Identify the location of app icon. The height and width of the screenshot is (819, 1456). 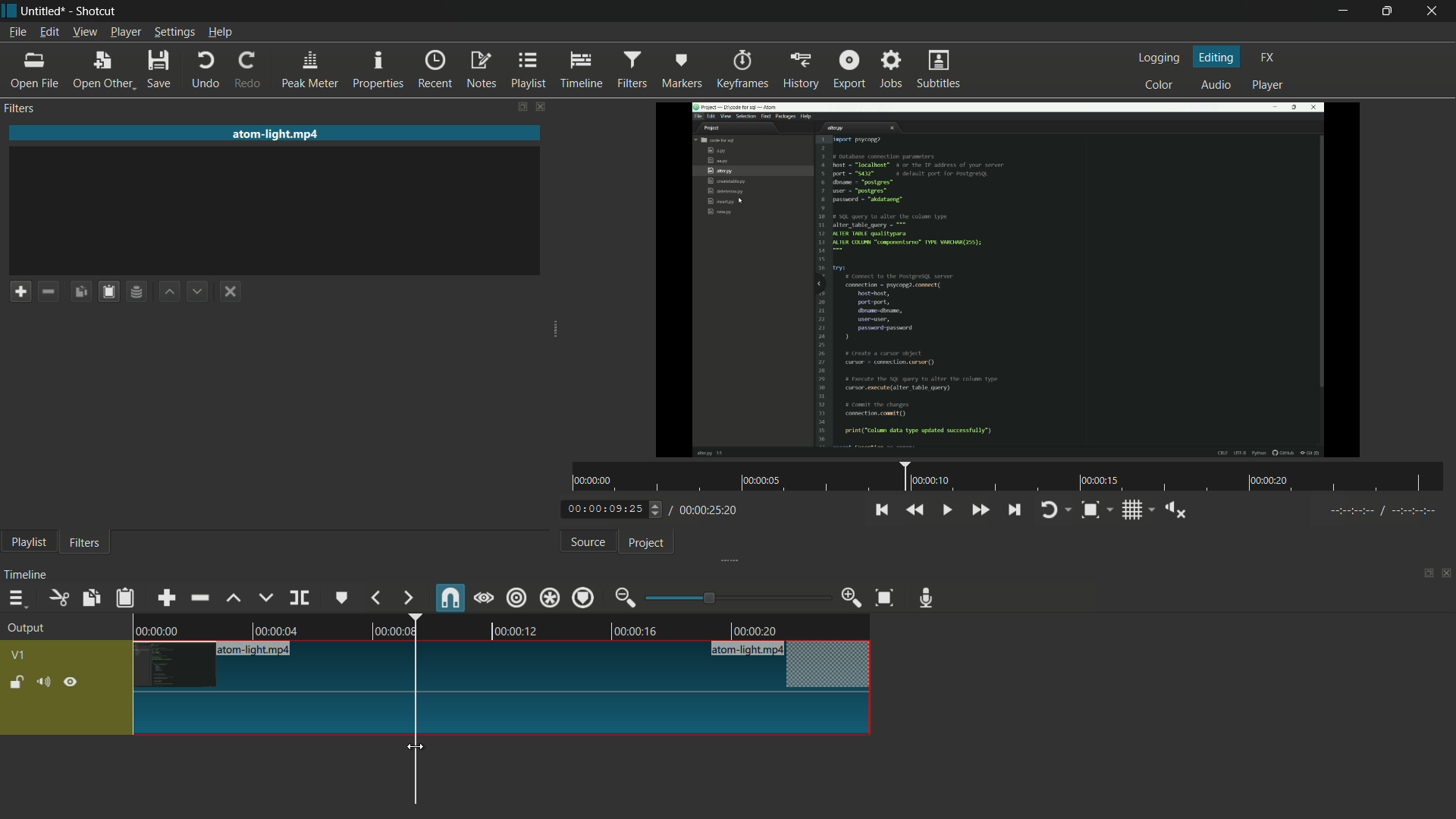
(9, 11).